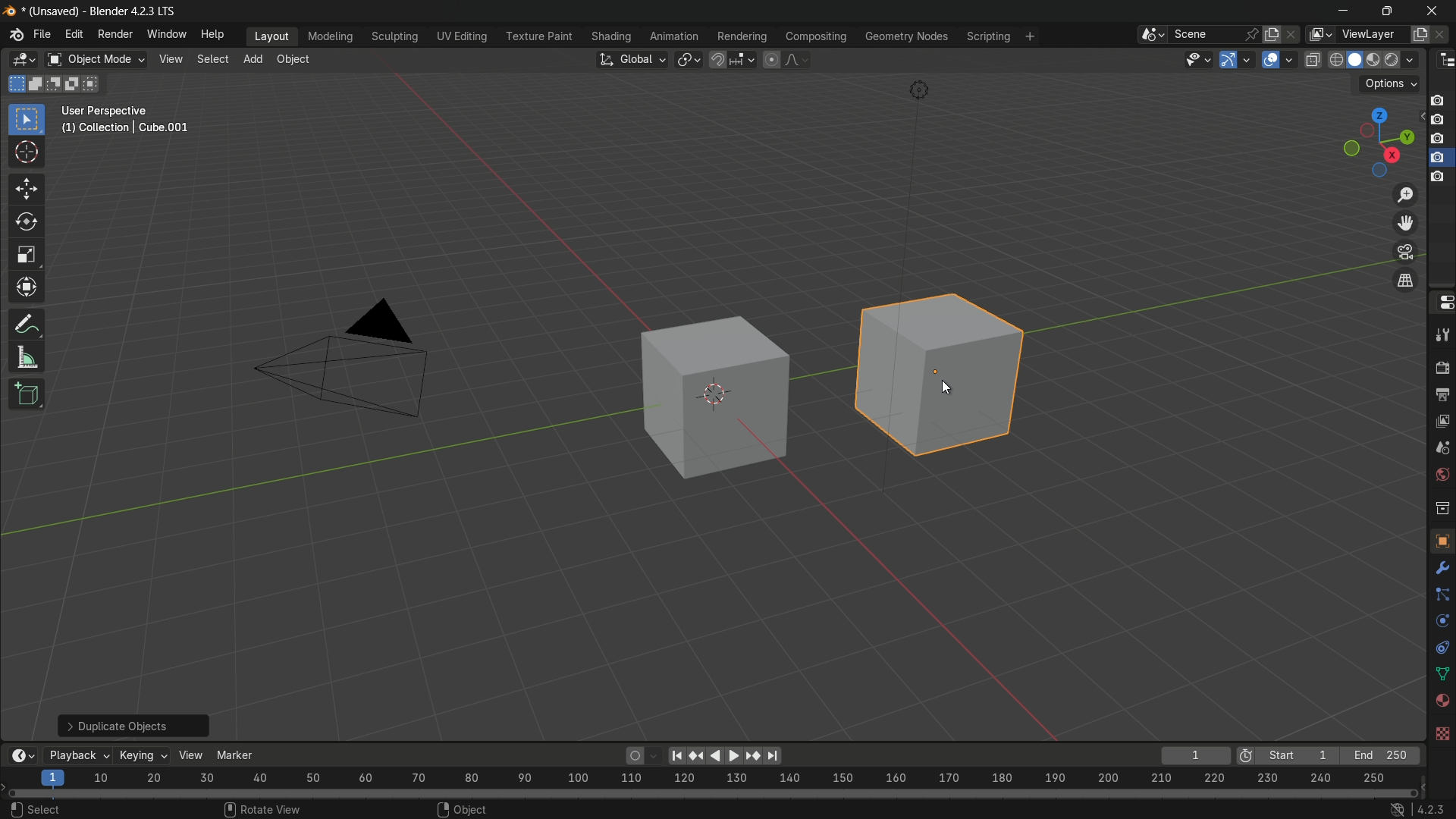  I want to click on uv editing menu, so click(458, 36).